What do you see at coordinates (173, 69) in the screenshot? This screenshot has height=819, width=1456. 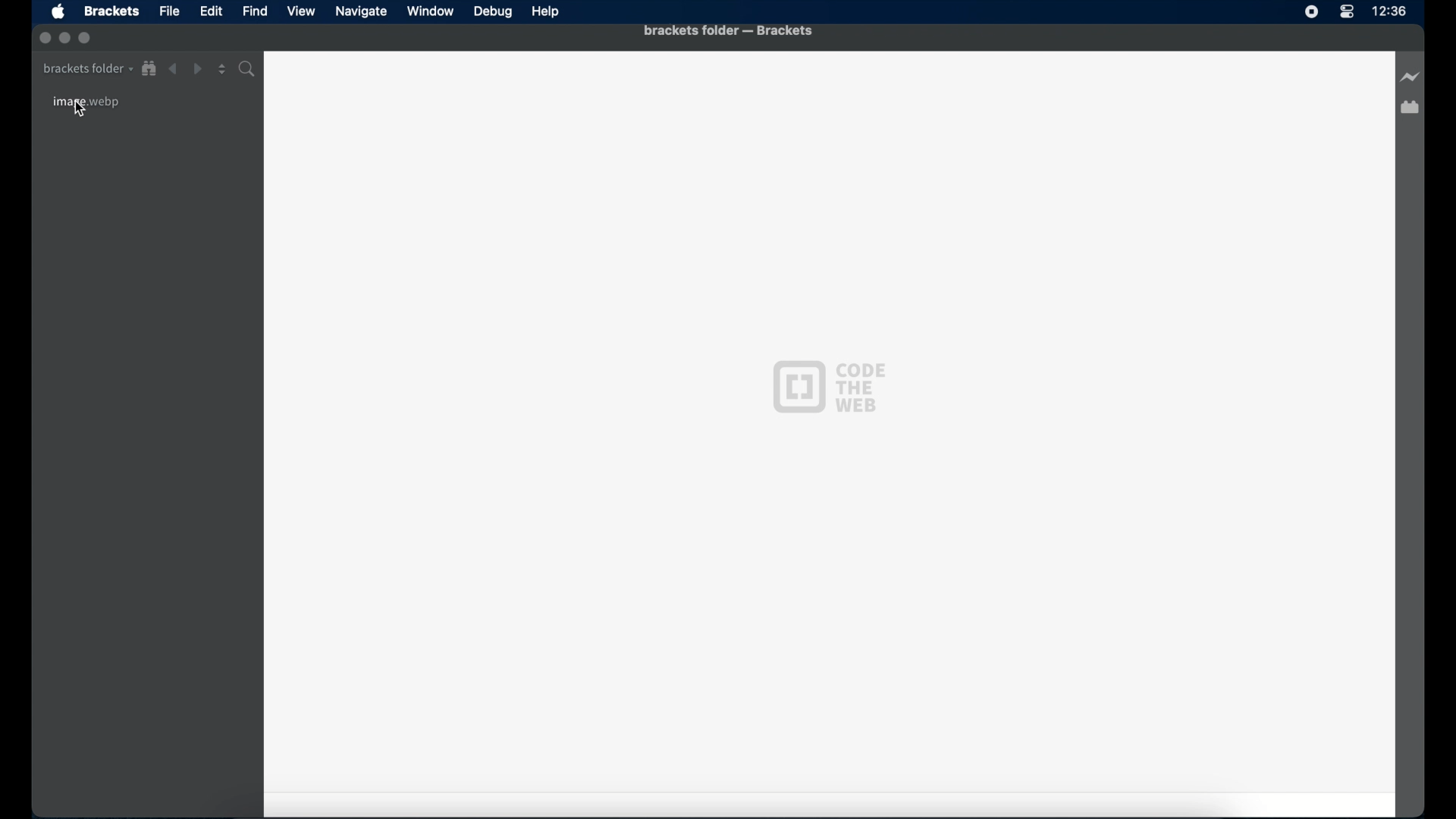 I see `back` at bounding box center [173, 69].